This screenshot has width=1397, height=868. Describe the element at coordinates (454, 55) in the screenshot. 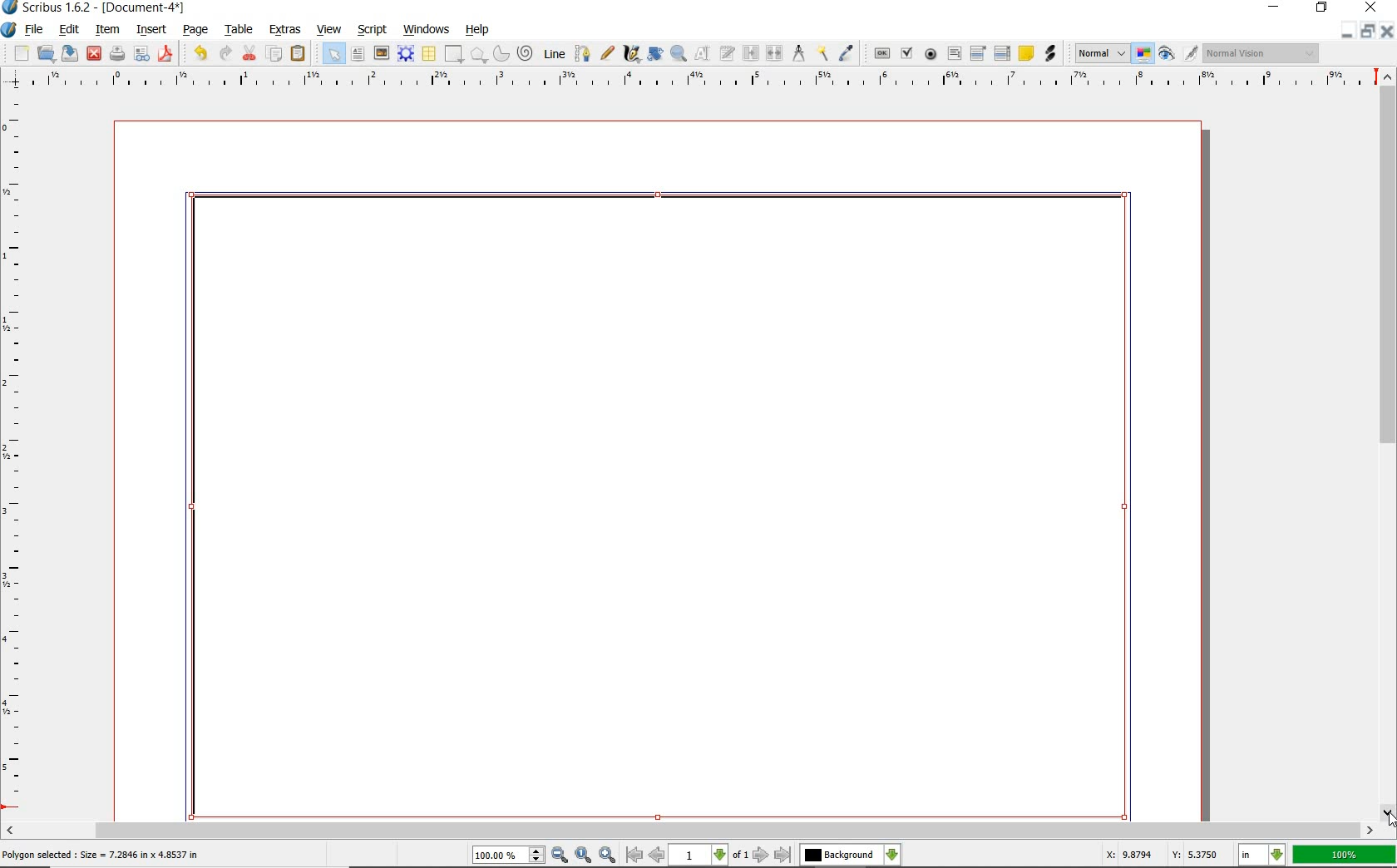

I see `shape` at that location.